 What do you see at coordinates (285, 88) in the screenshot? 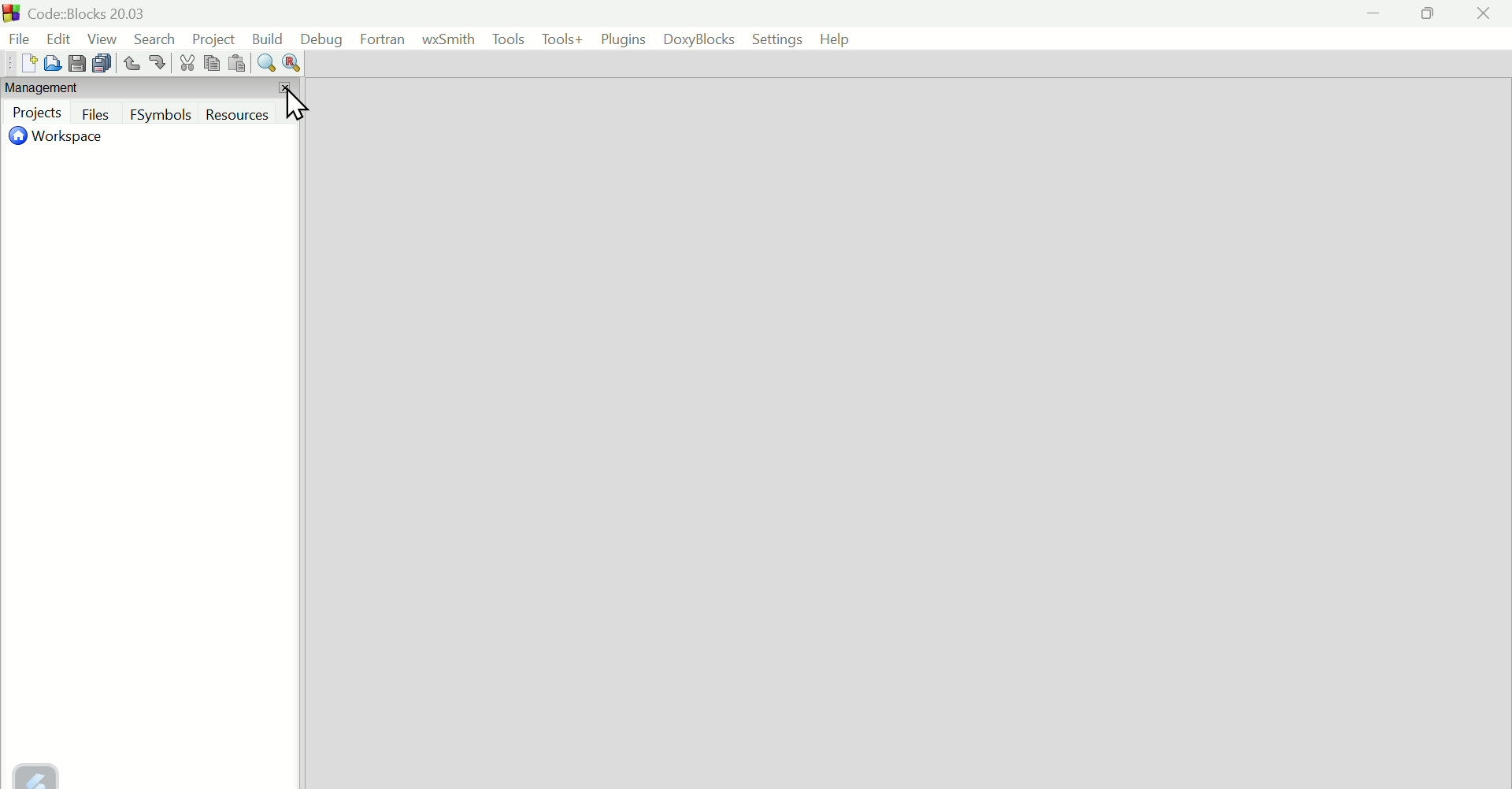
I see `Close` at bounding box center [285, 88].